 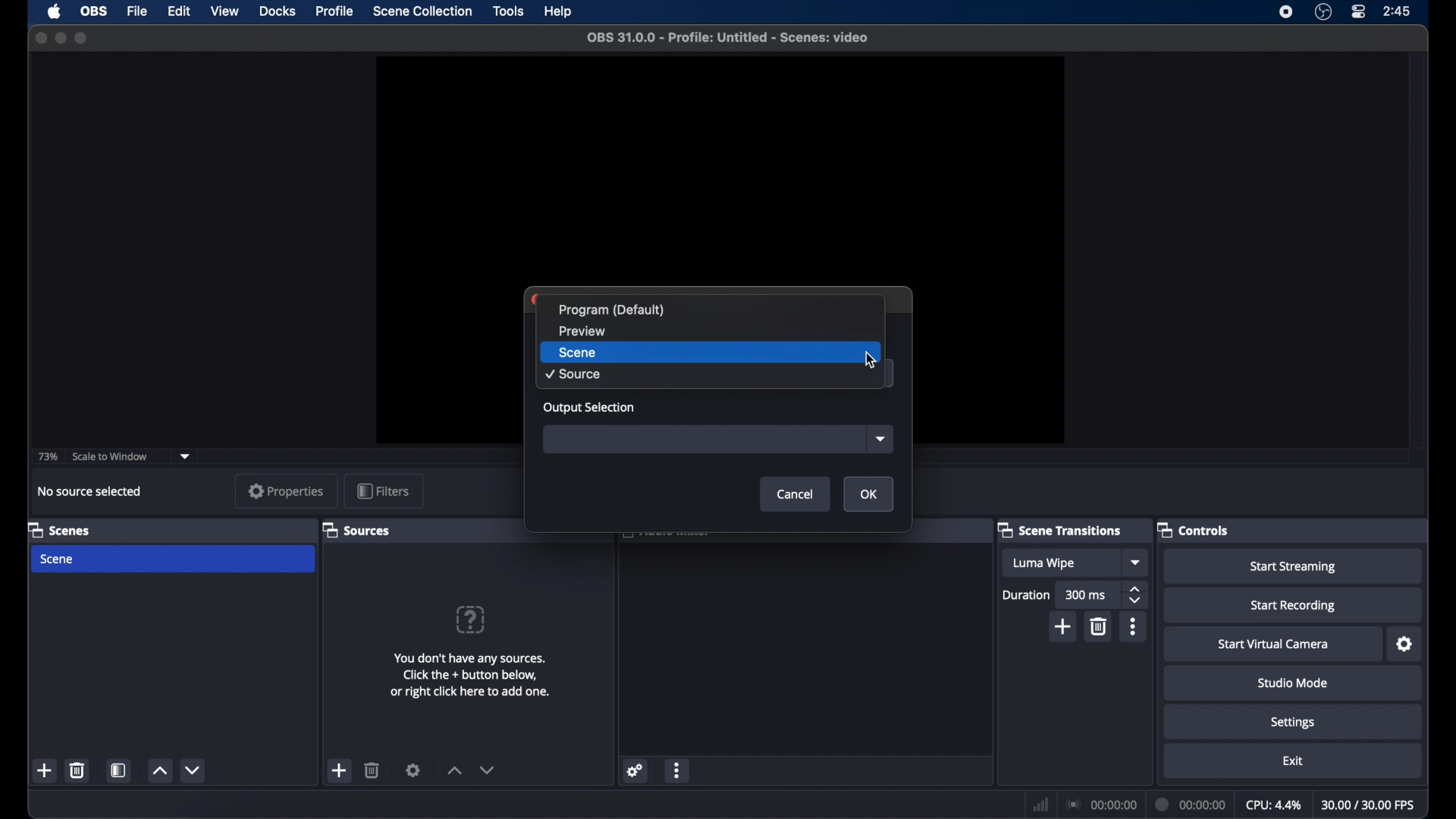 What do you see at coordinates (872, 360) in the screenshot?
I see `cursor` at bounding box center [872, 360].